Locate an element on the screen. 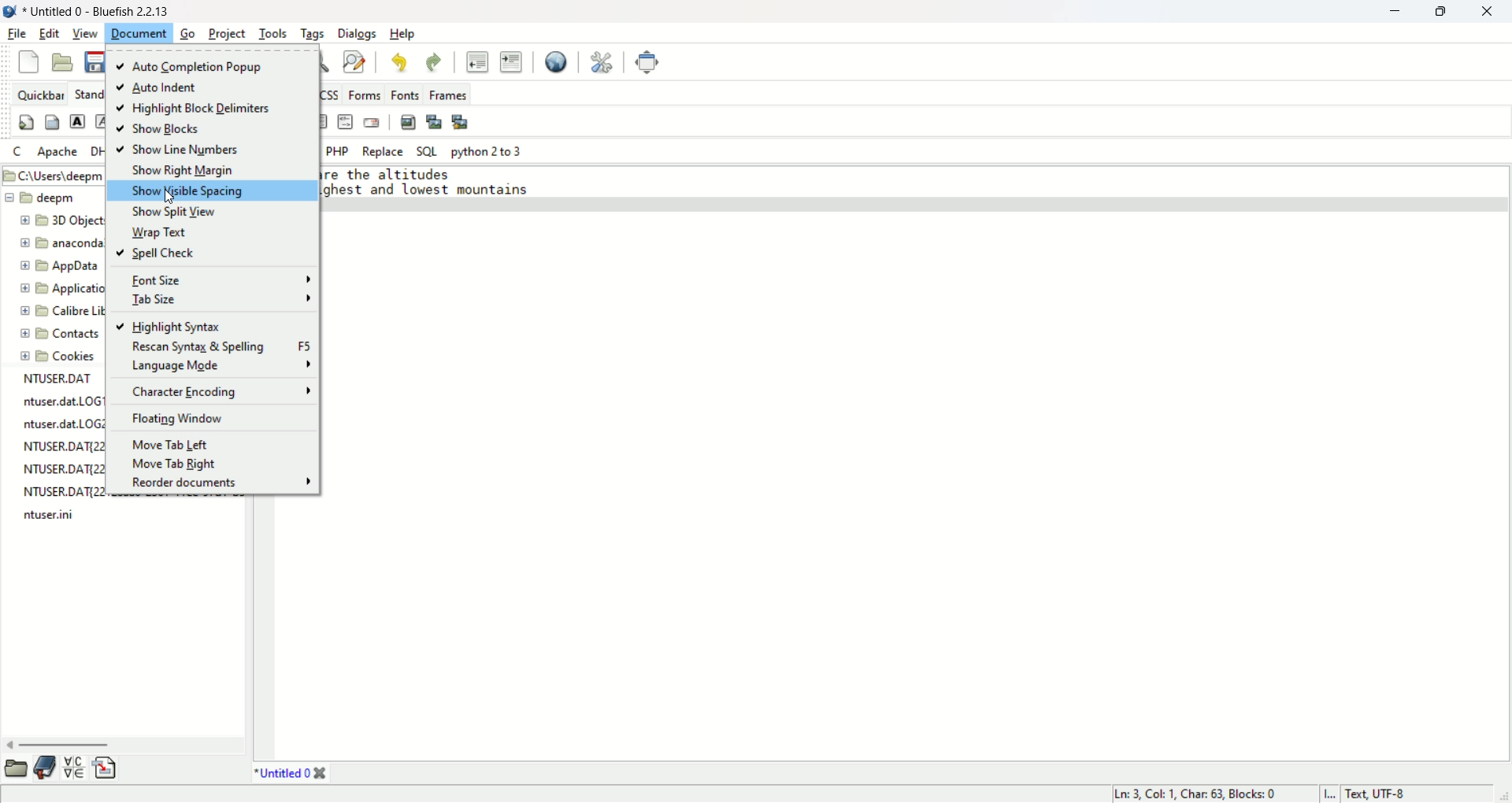 The image size is (1512, 803). advanced find and replace is located at coordinates (358, 61).